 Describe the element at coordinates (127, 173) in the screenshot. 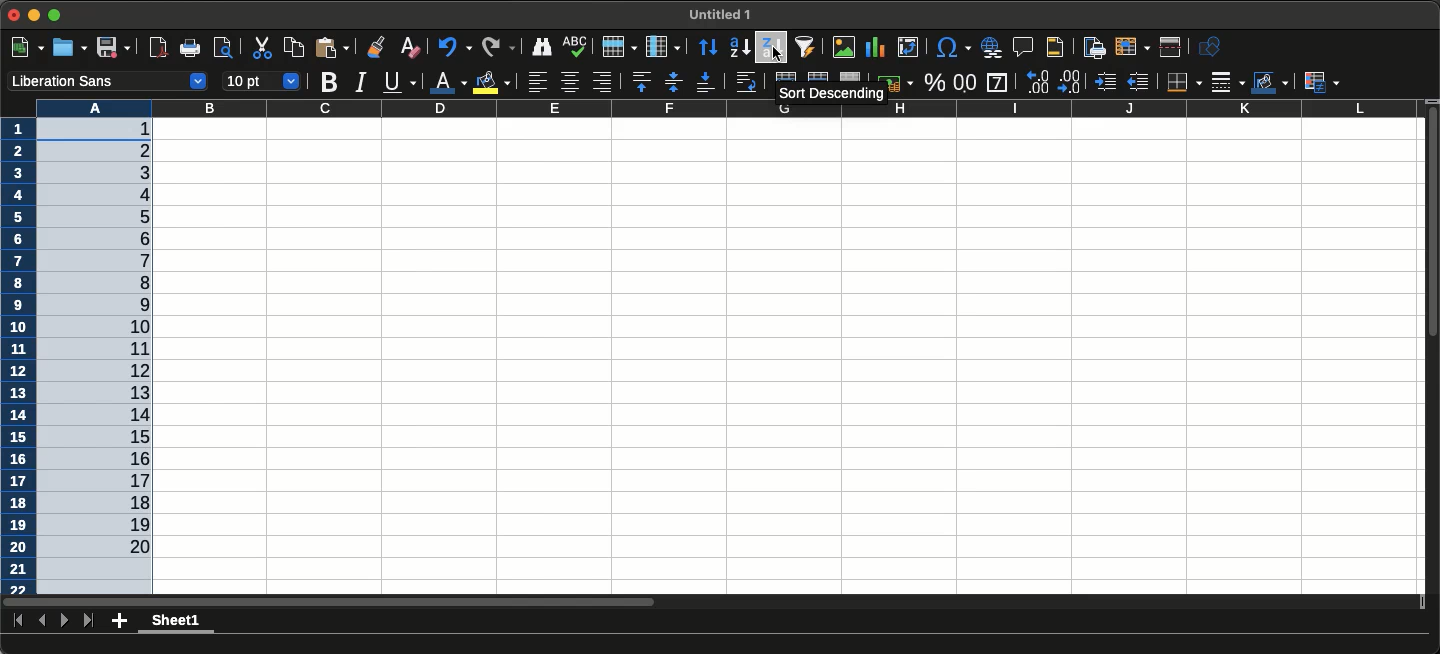

I see `3` at that location.